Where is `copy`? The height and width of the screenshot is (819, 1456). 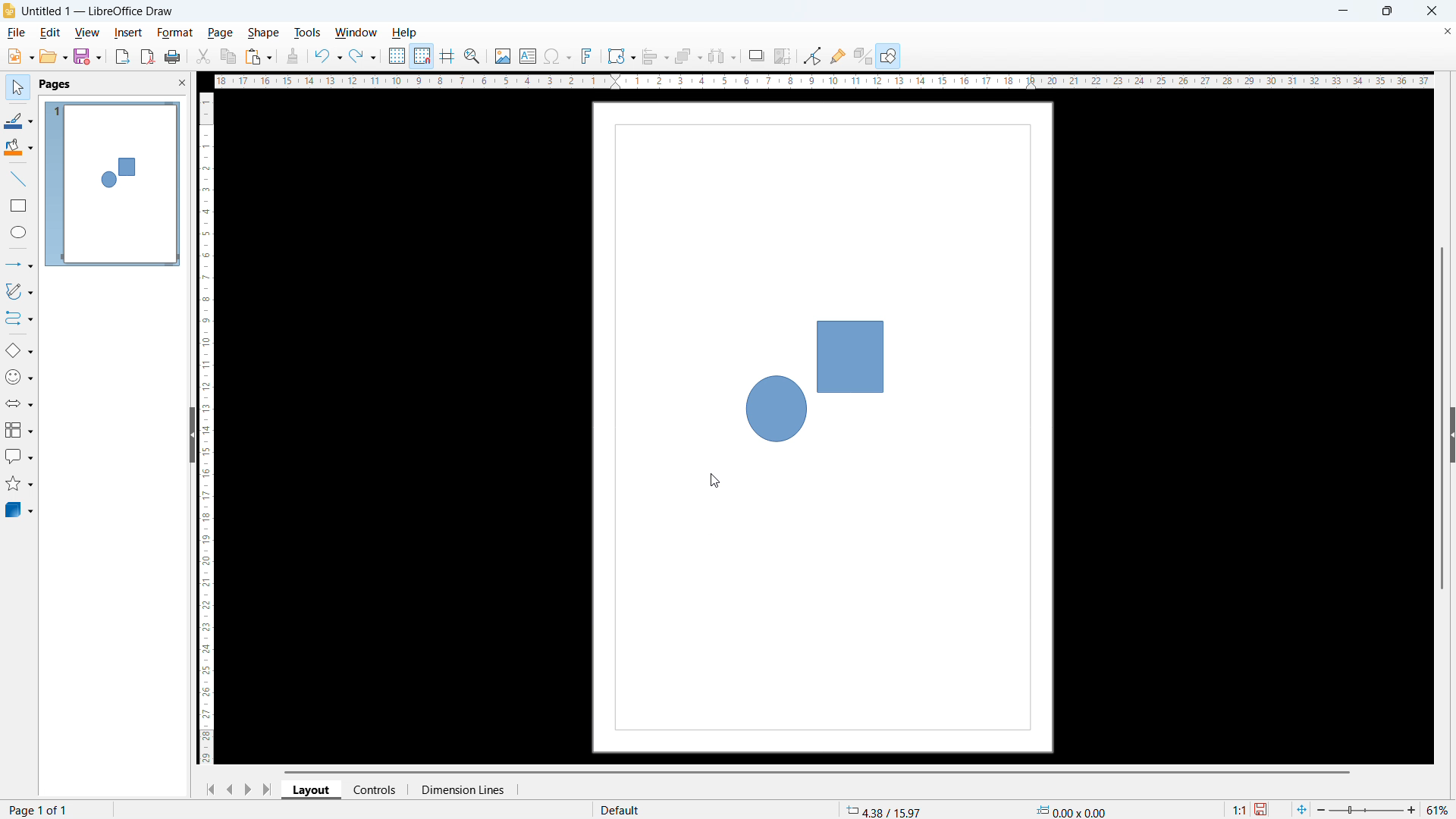
copy is located at coordinates (229, 56).